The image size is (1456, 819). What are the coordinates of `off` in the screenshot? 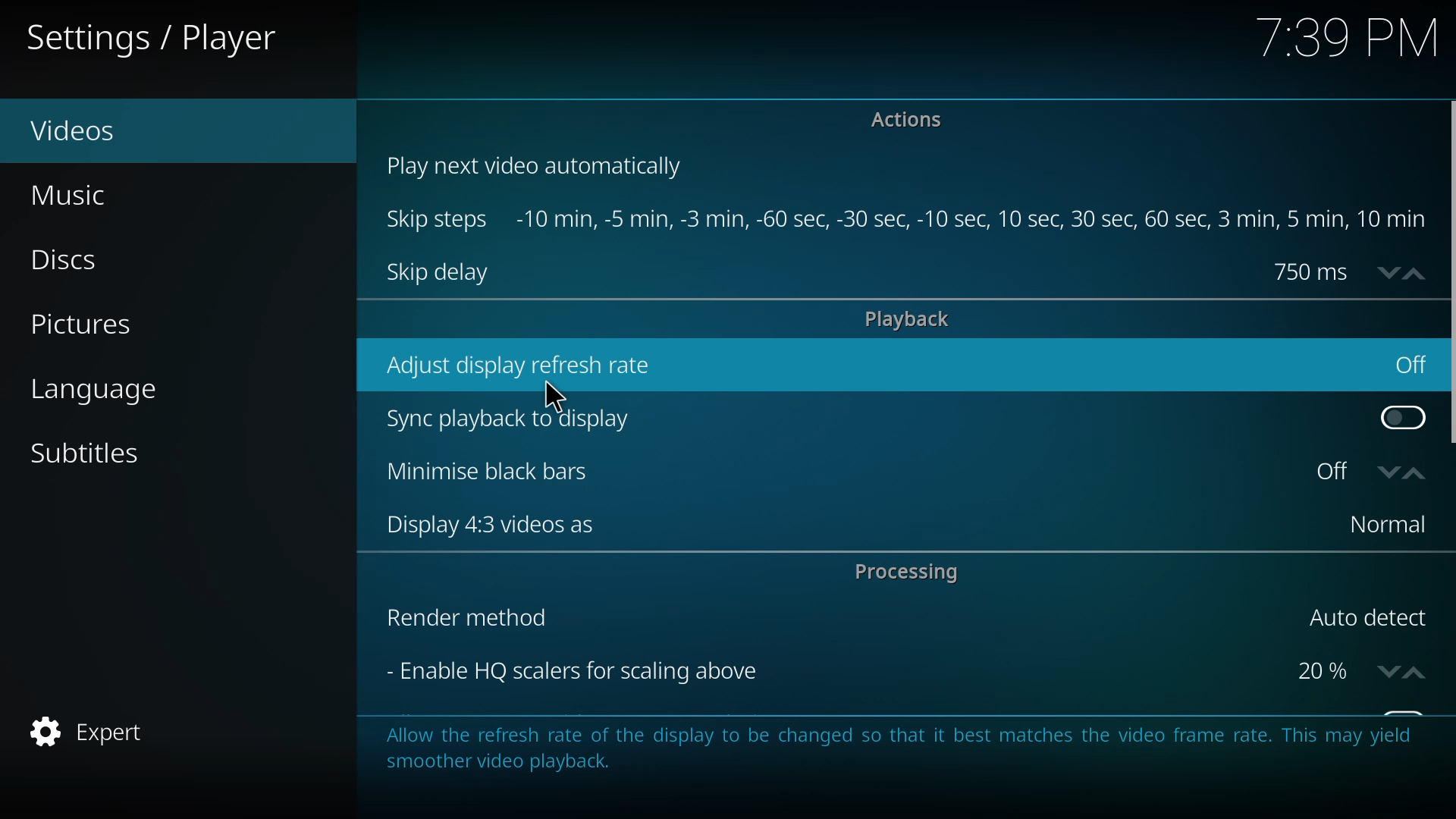 It's located at (1366, 471).